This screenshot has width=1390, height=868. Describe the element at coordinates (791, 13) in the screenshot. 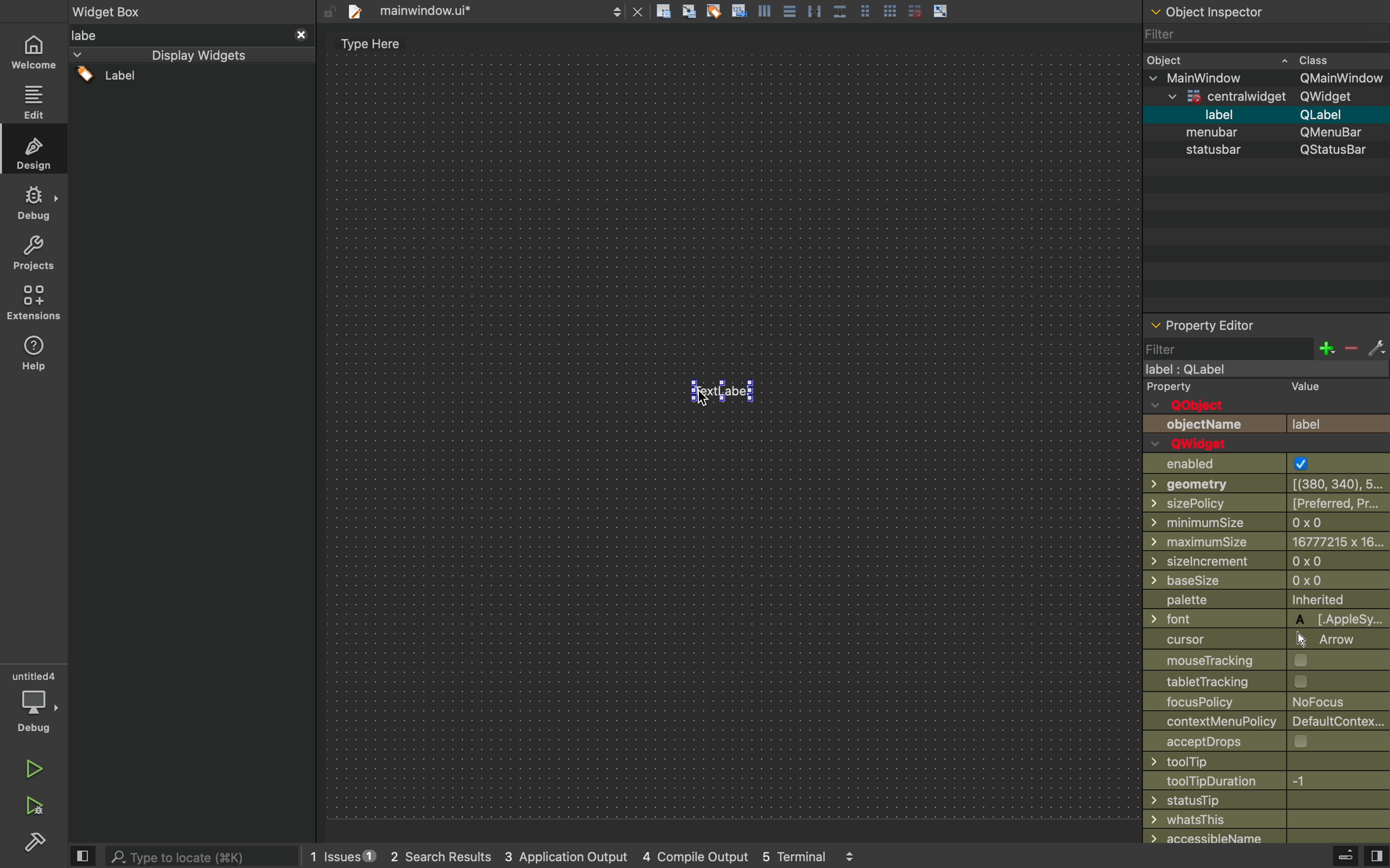

I see `Pages` at that location.